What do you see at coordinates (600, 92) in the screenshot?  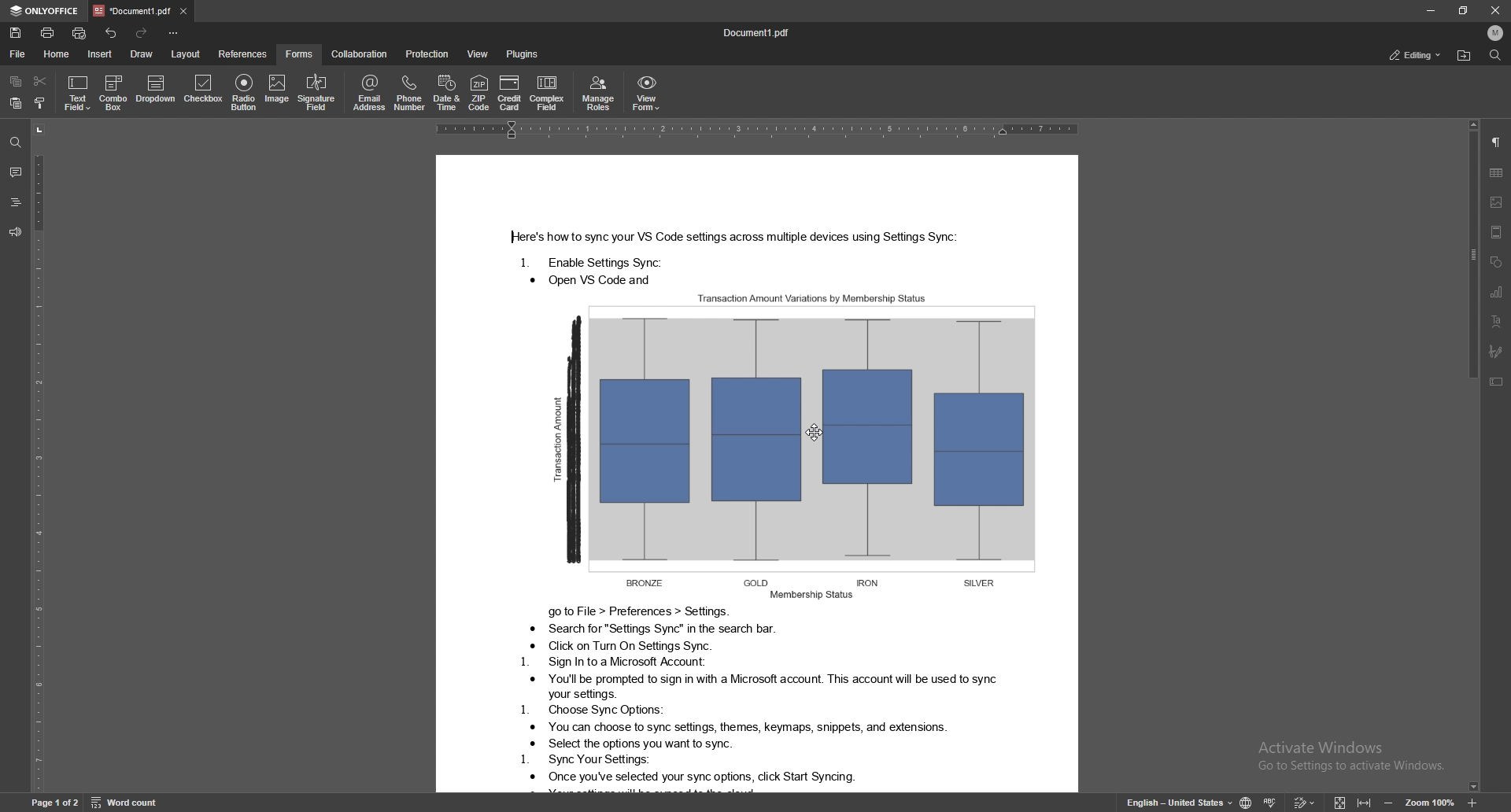 I see `manage roles` at bounding box center [600, 92].